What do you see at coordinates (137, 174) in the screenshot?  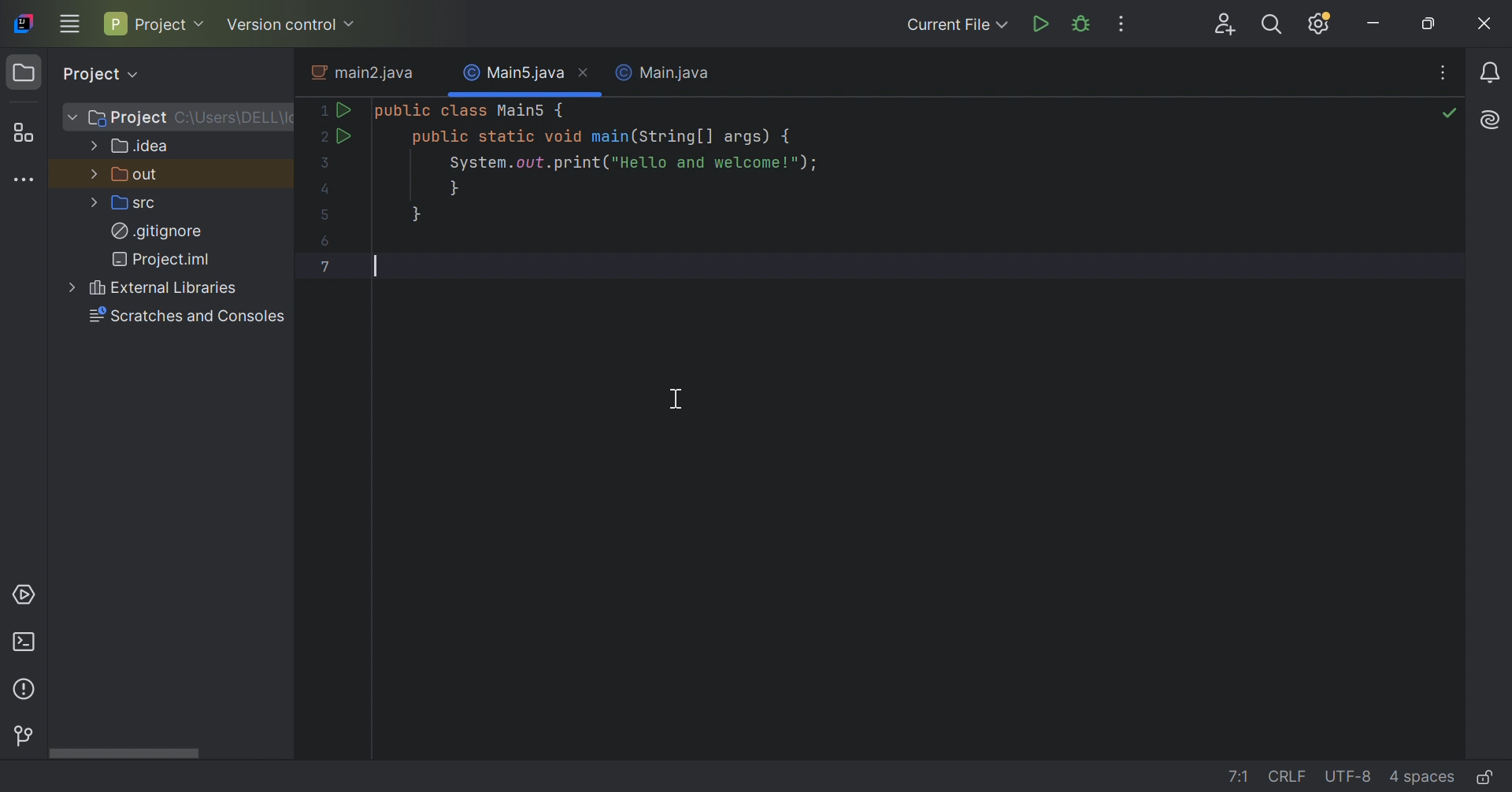 I see `out` at bounding box center [137, 174].